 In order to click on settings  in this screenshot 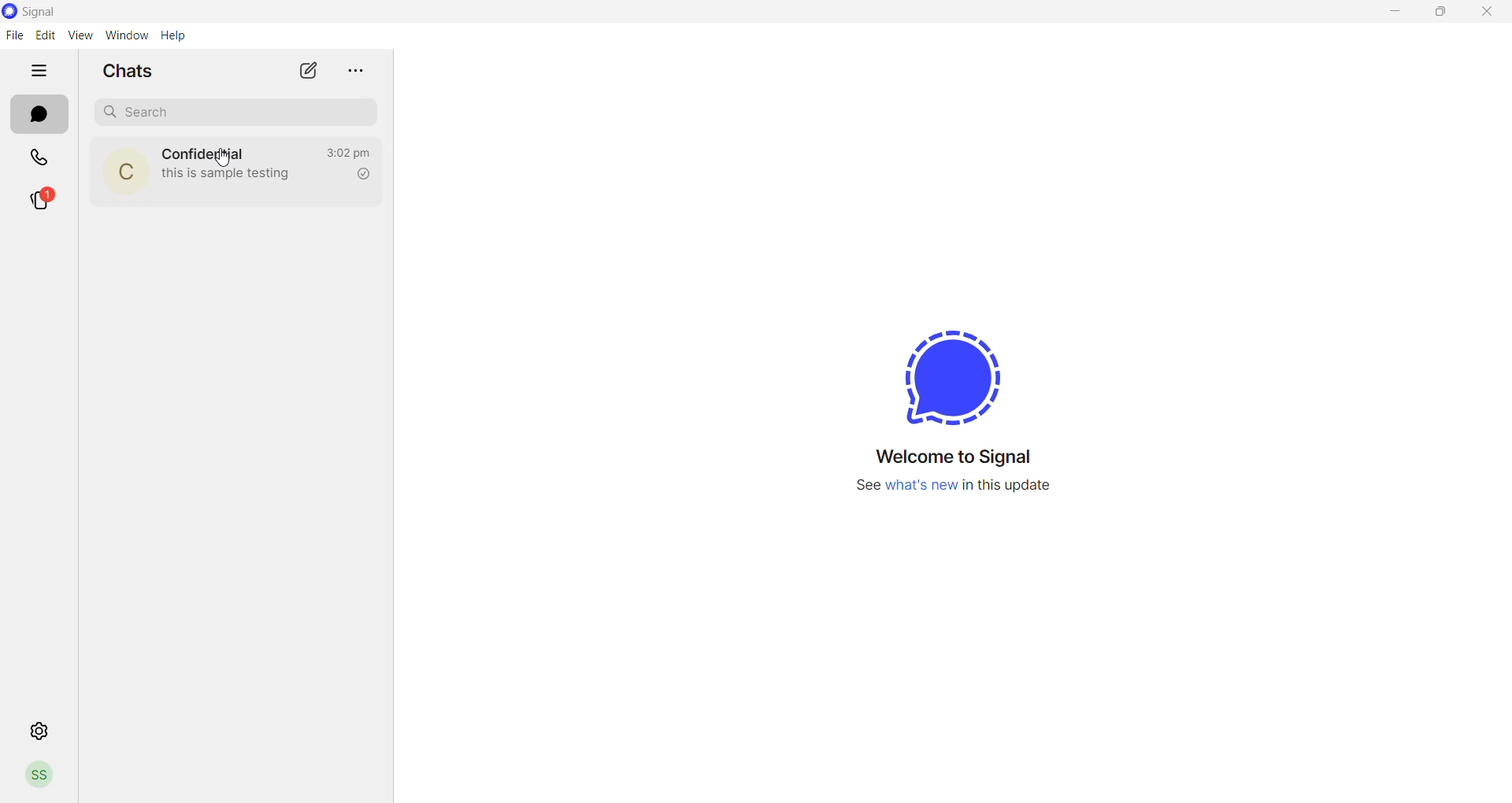, I will do `click(40, 730)`.